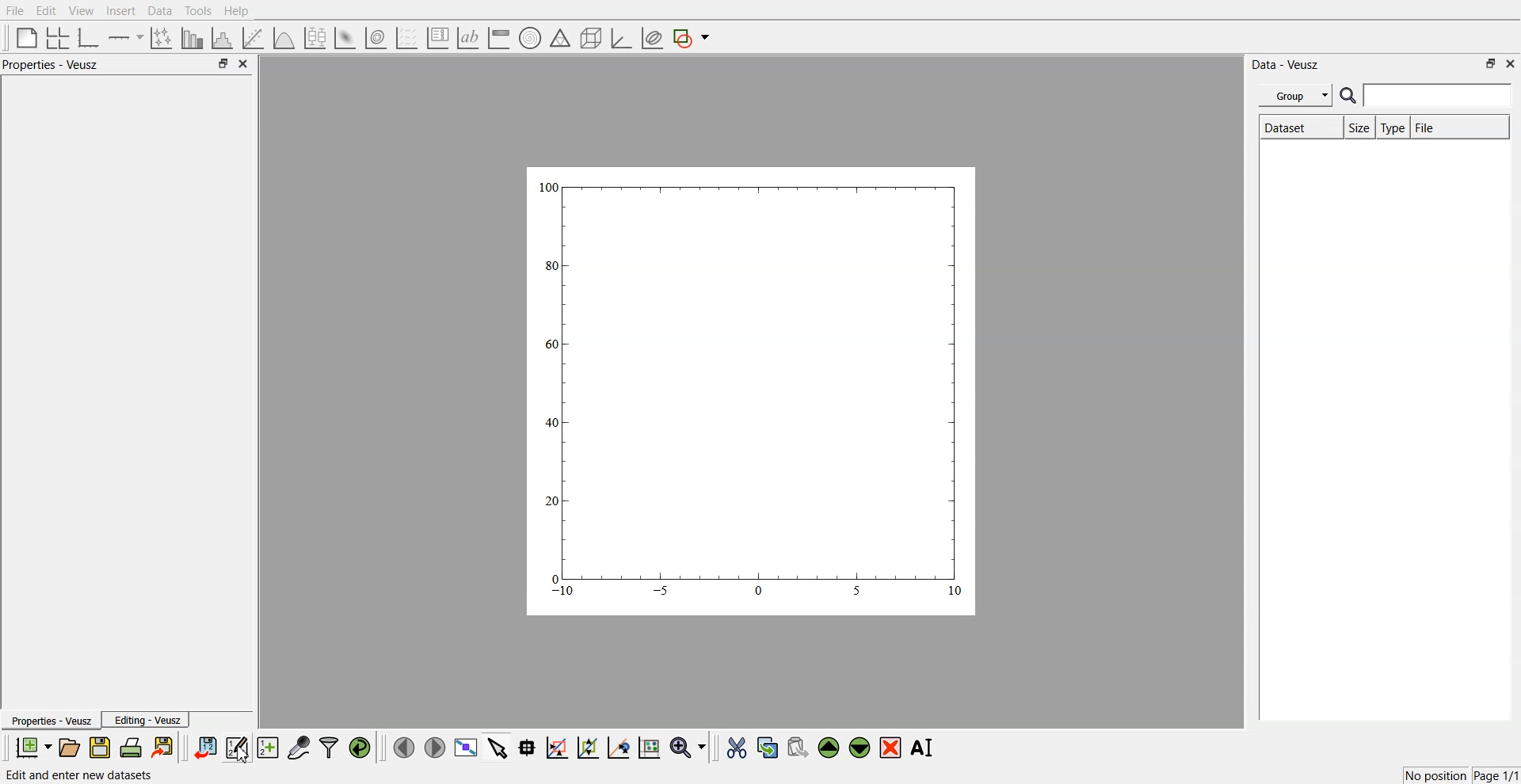 This screenshot has width=1521, height=784. I want to click on No position, so click(1438, 774).